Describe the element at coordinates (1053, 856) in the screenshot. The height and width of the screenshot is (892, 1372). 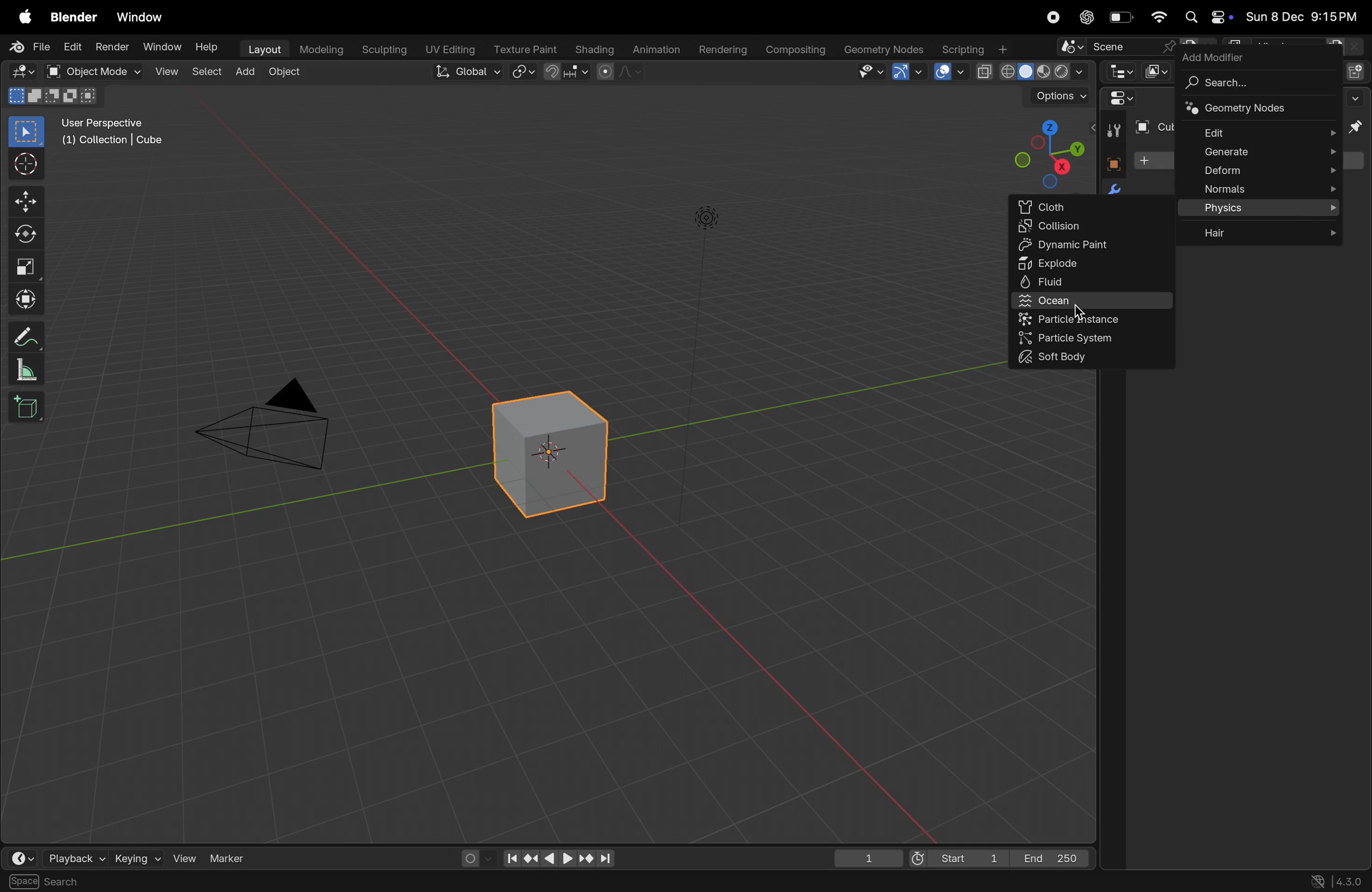
I see `end 250` at that location.